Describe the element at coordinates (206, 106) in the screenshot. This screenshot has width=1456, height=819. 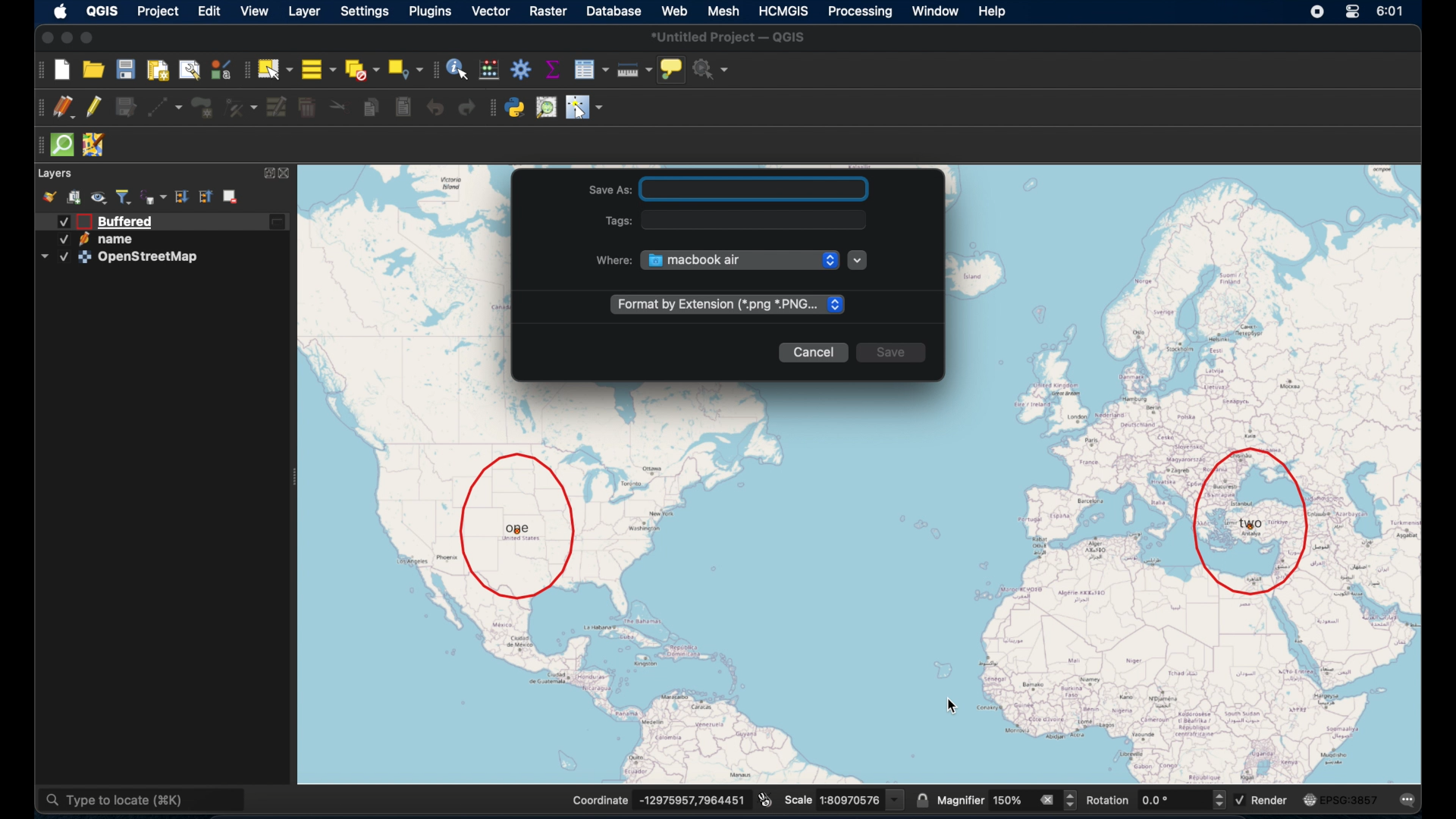
I see `add polygon feature` at that location.